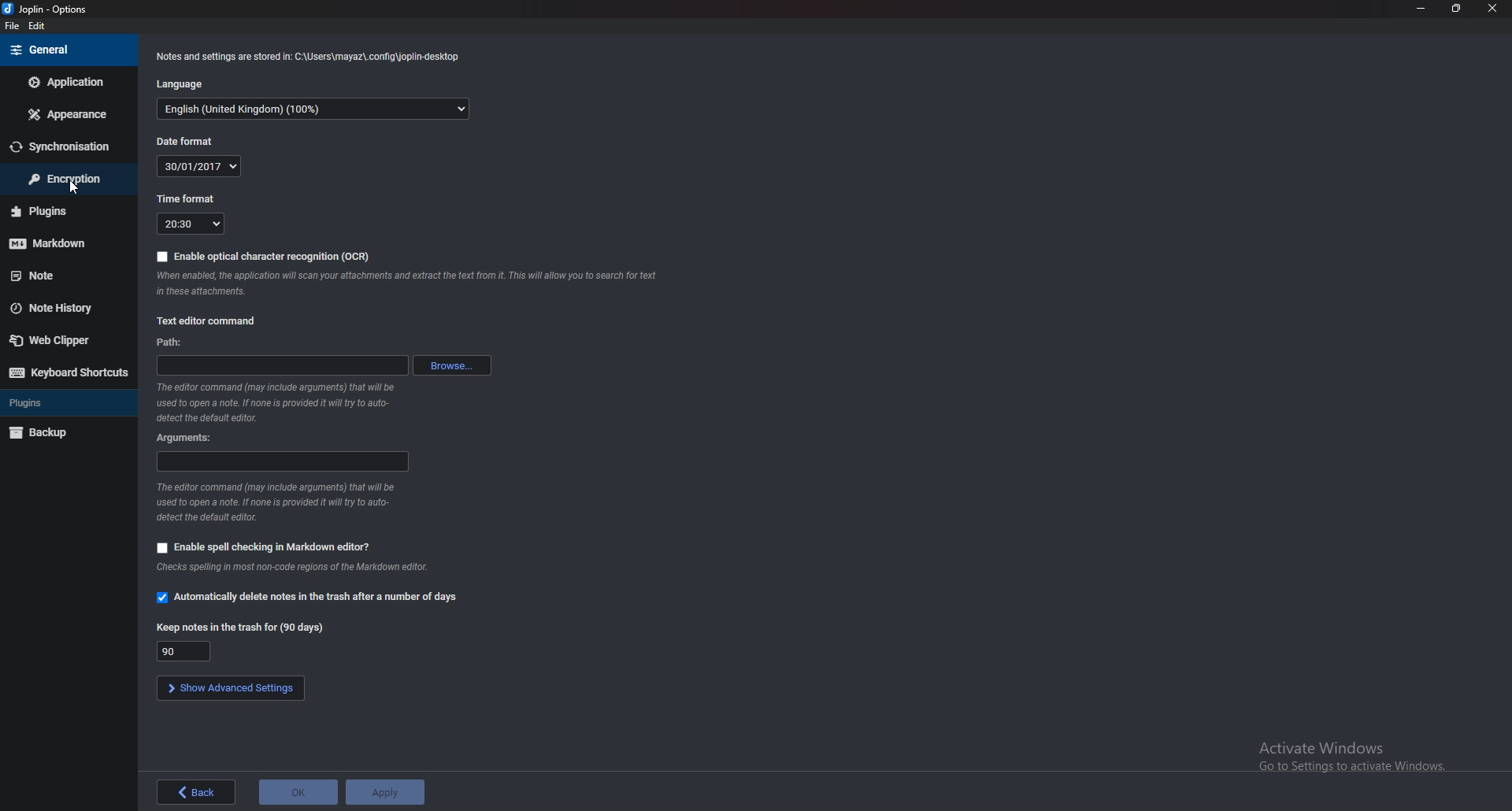 The image size is (1512, 811). Describe the element at coordinates (240, 628) in the screenshot. I see `` at that location.